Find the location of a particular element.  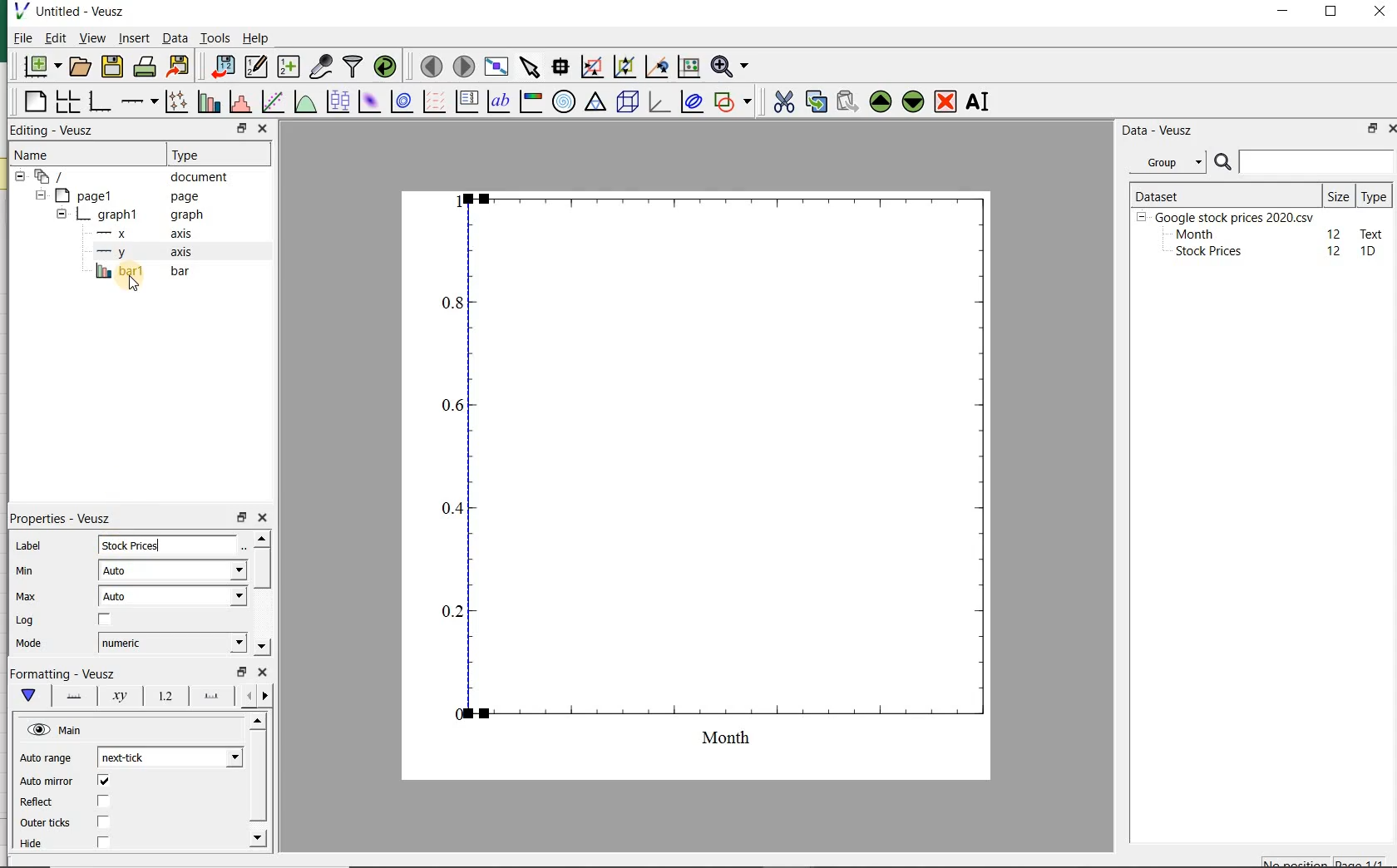

12 is located at coordinates (1335, 233).